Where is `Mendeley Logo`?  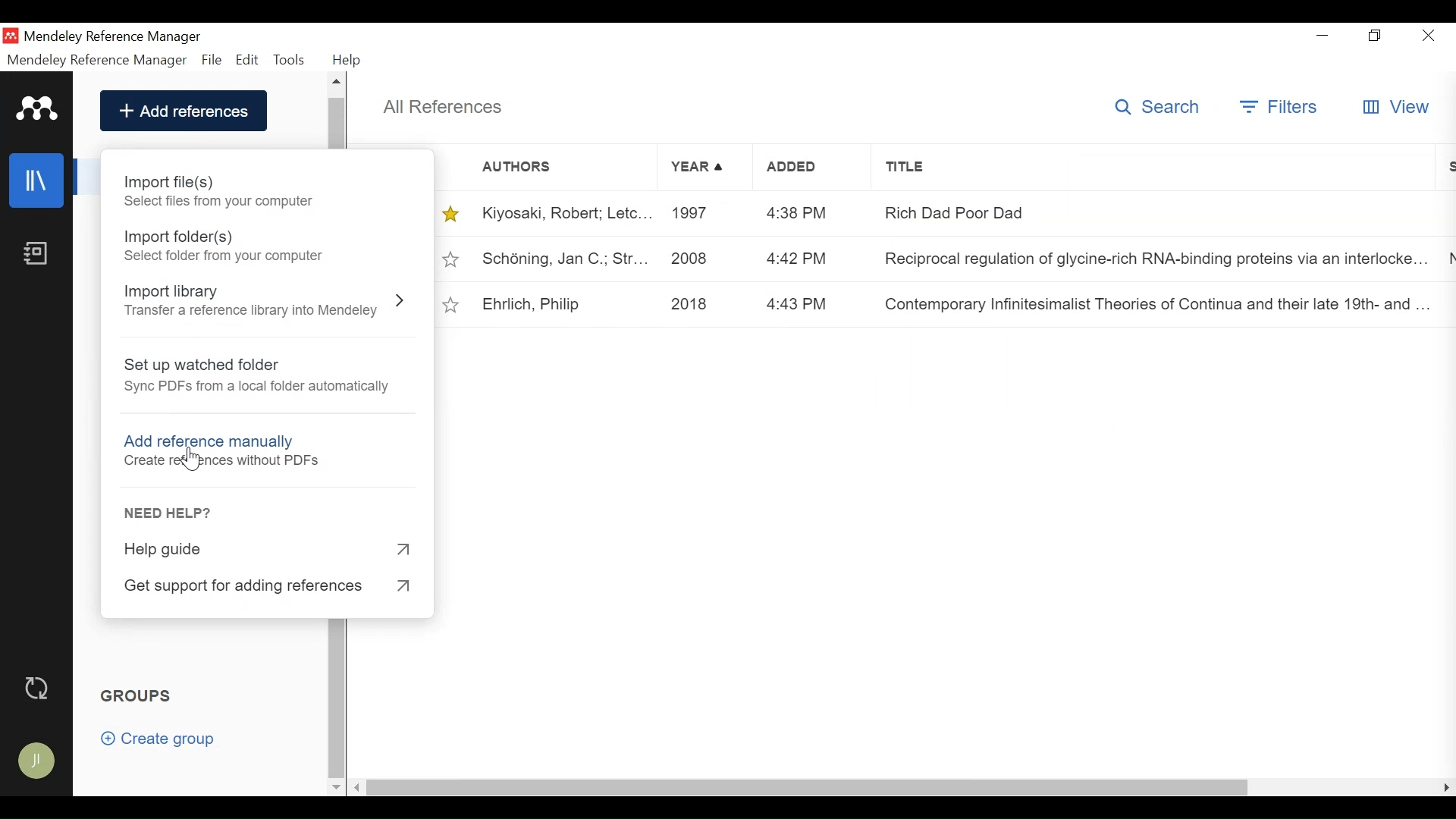
Mendeley Logo is located at coordinates (37, 108).